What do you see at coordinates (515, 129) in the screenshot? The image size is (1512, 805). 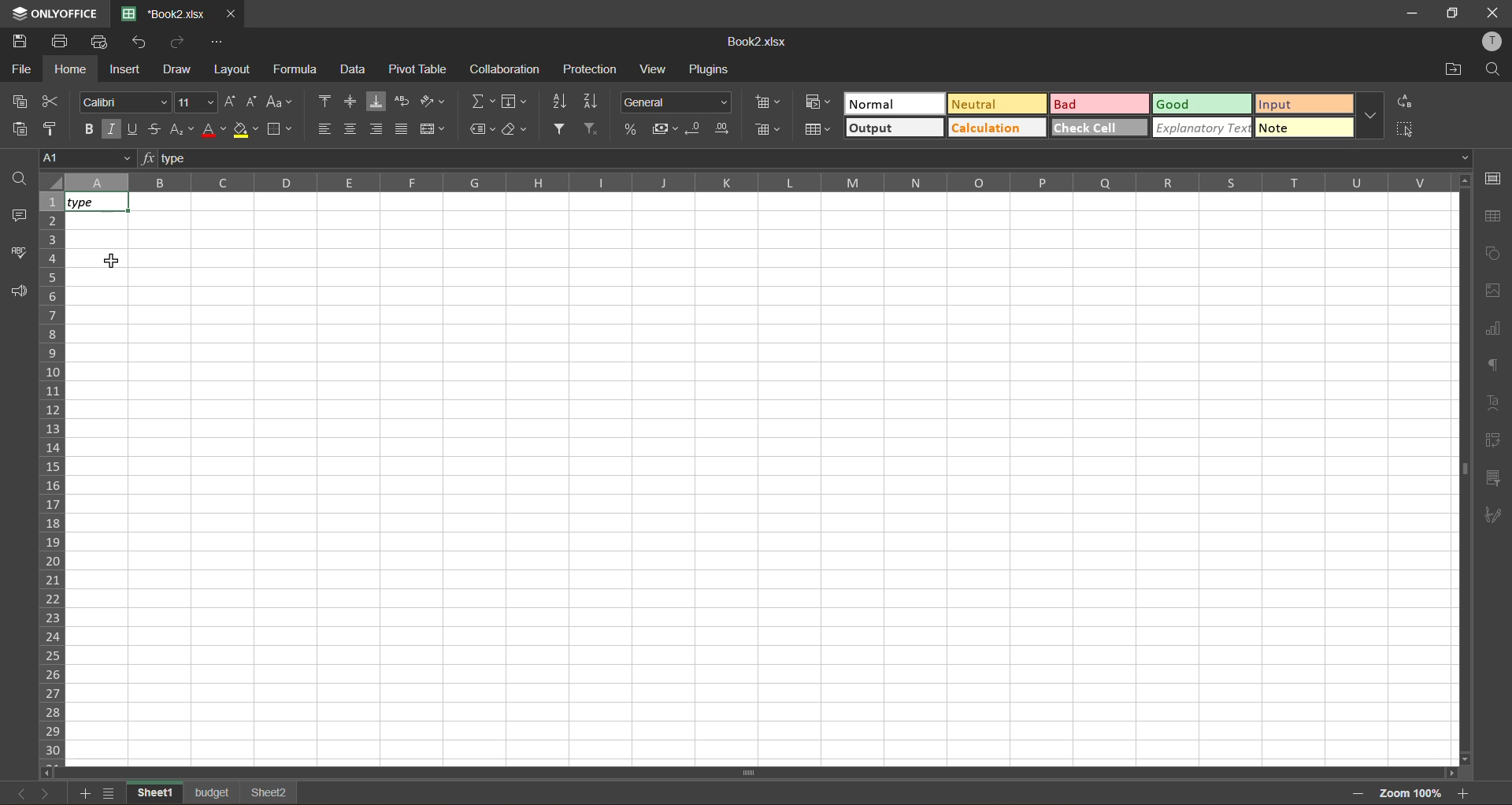 I see `clear` at bounding box center [515, 129].